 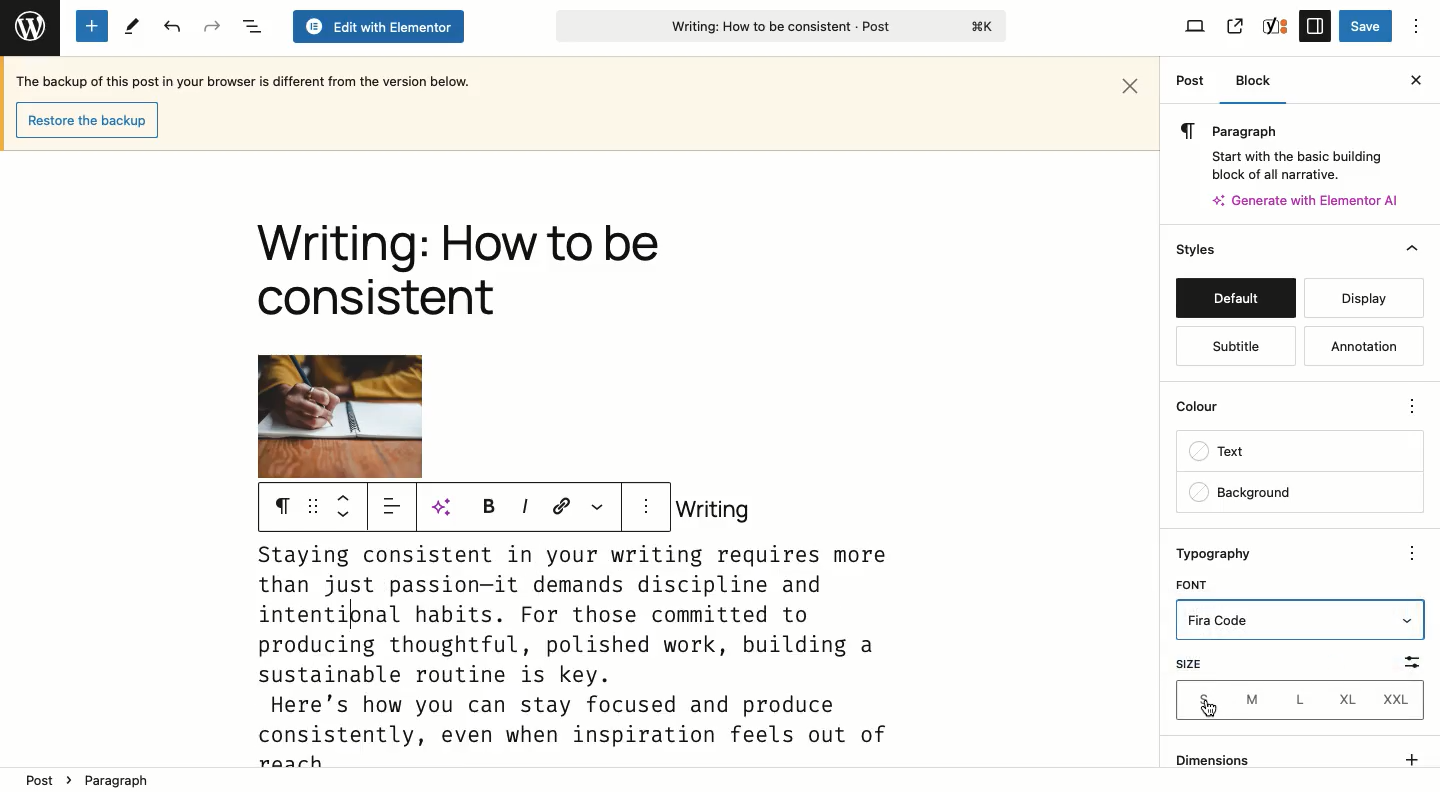 What do you see at coordinates (130, 27) in the screenshot?
I see `Tools` at bounding box center [130, 27].